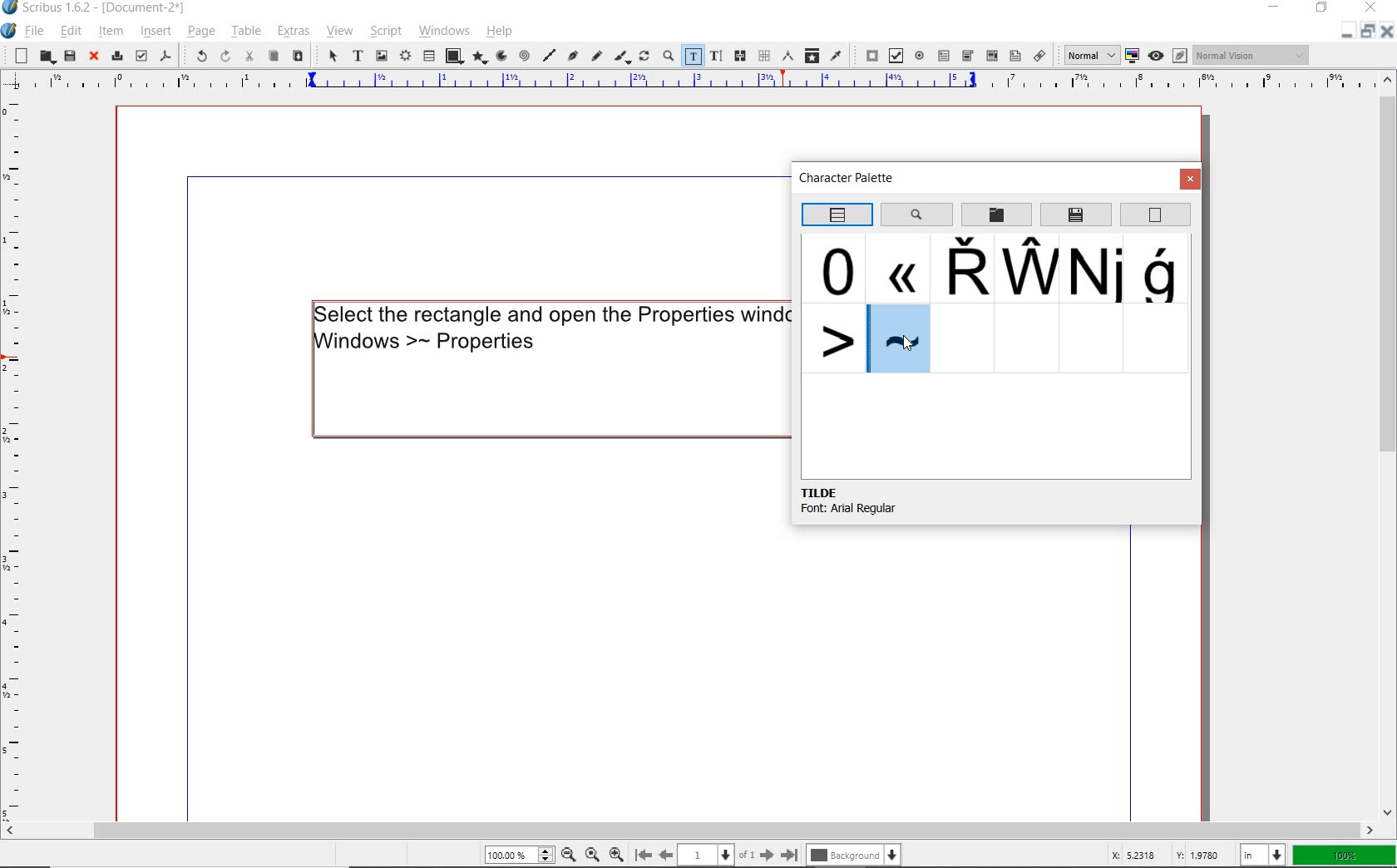  I want to click on minimise, so click(1344, 34).